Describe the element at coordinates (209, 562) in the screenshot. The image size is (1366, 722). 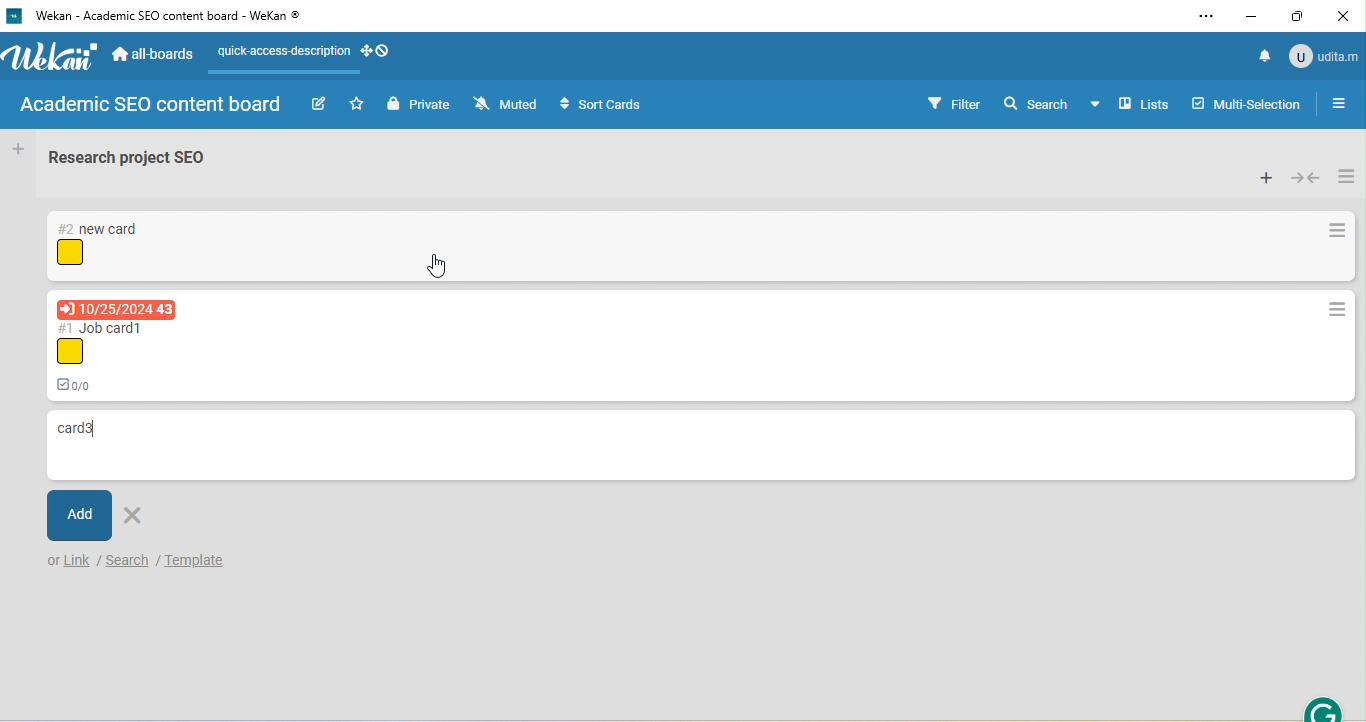
I see `template` at that location.